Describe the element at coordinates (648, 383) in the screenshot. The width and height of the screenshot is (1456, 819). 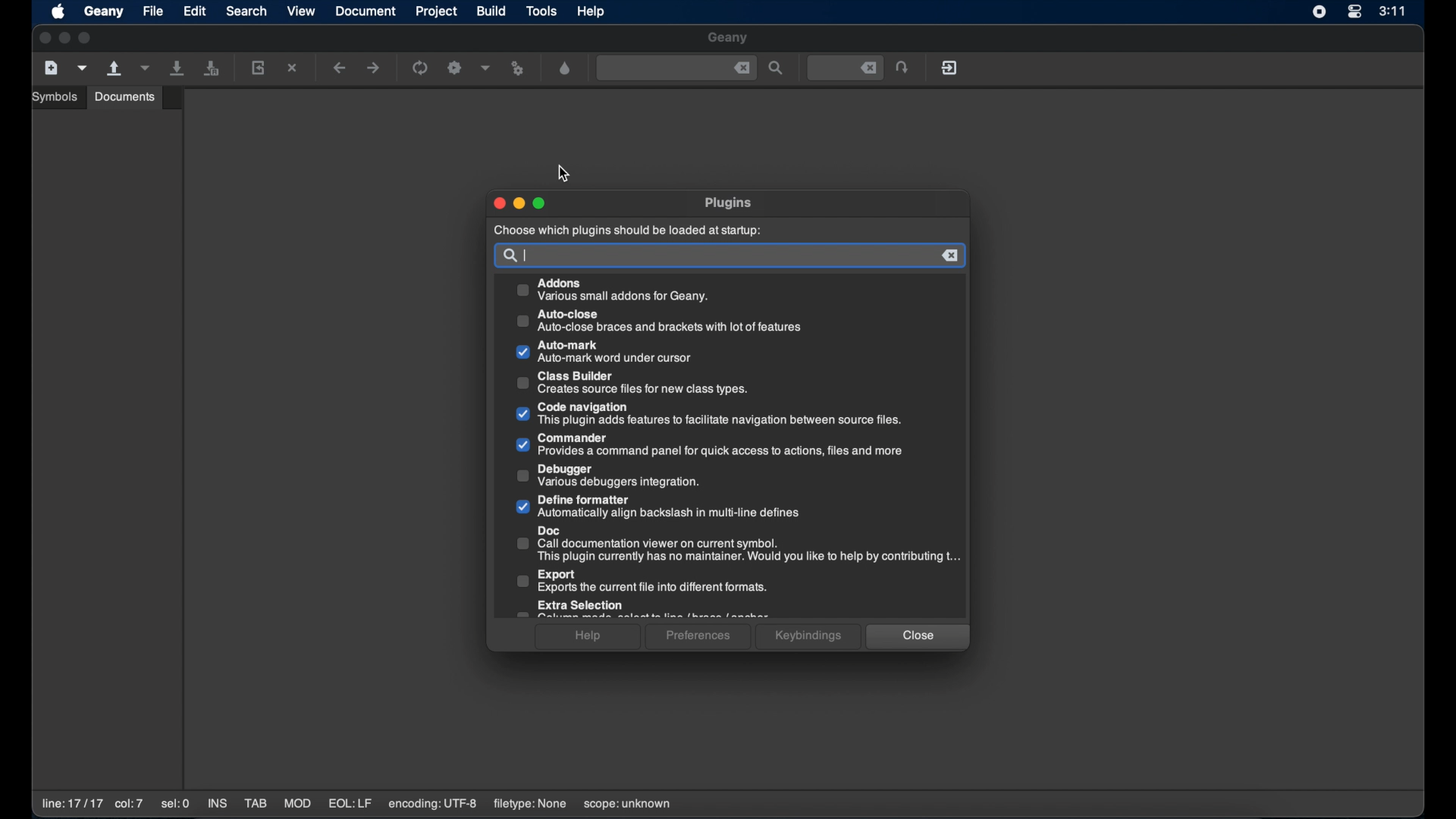
I see `Class  Builder Creates source files for new class types.` at that location.